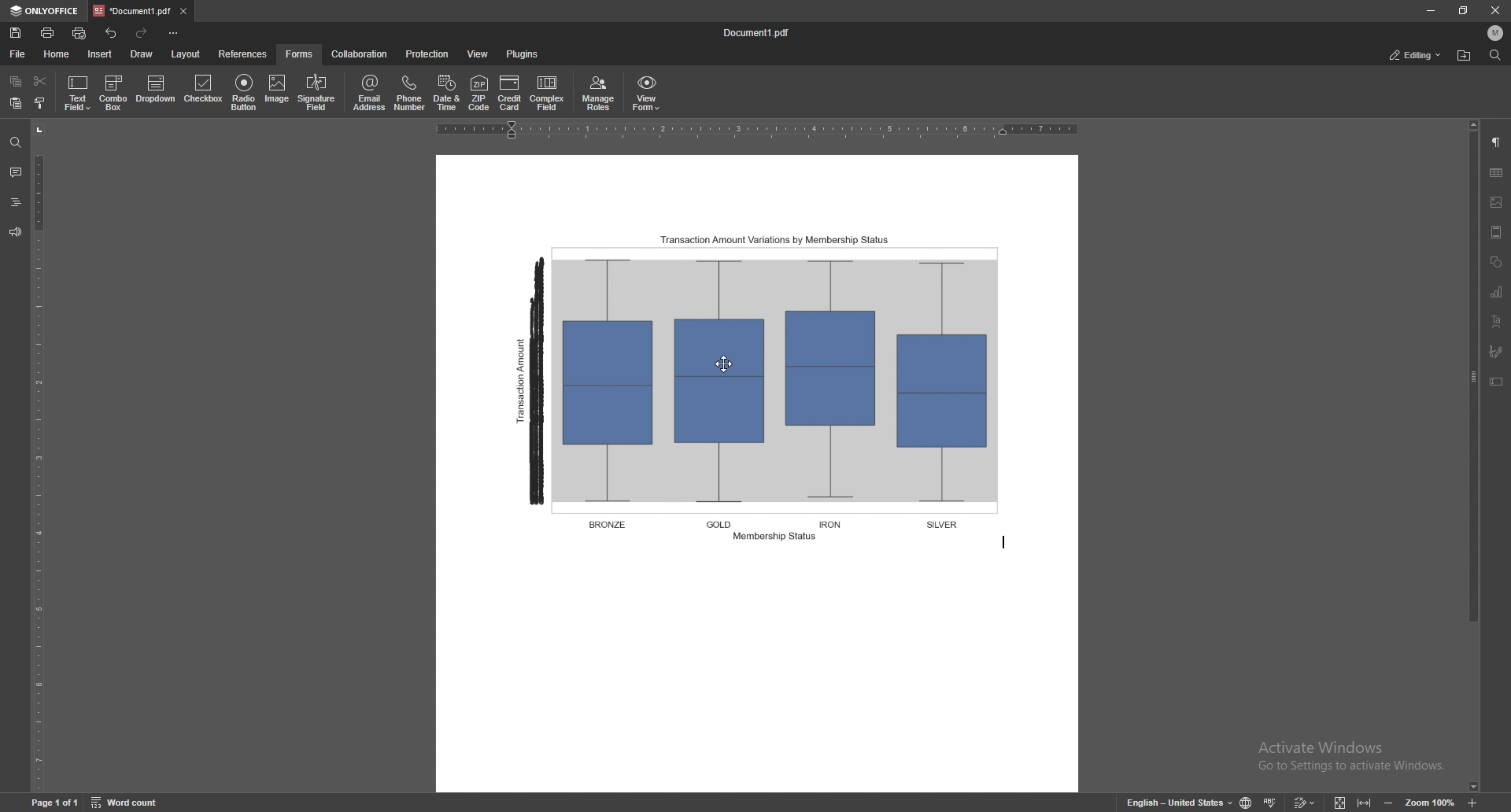  What do you see at coordinates (1270, 802) in the screenshot?
I see `spell check` at bounding box center [1270, 802].